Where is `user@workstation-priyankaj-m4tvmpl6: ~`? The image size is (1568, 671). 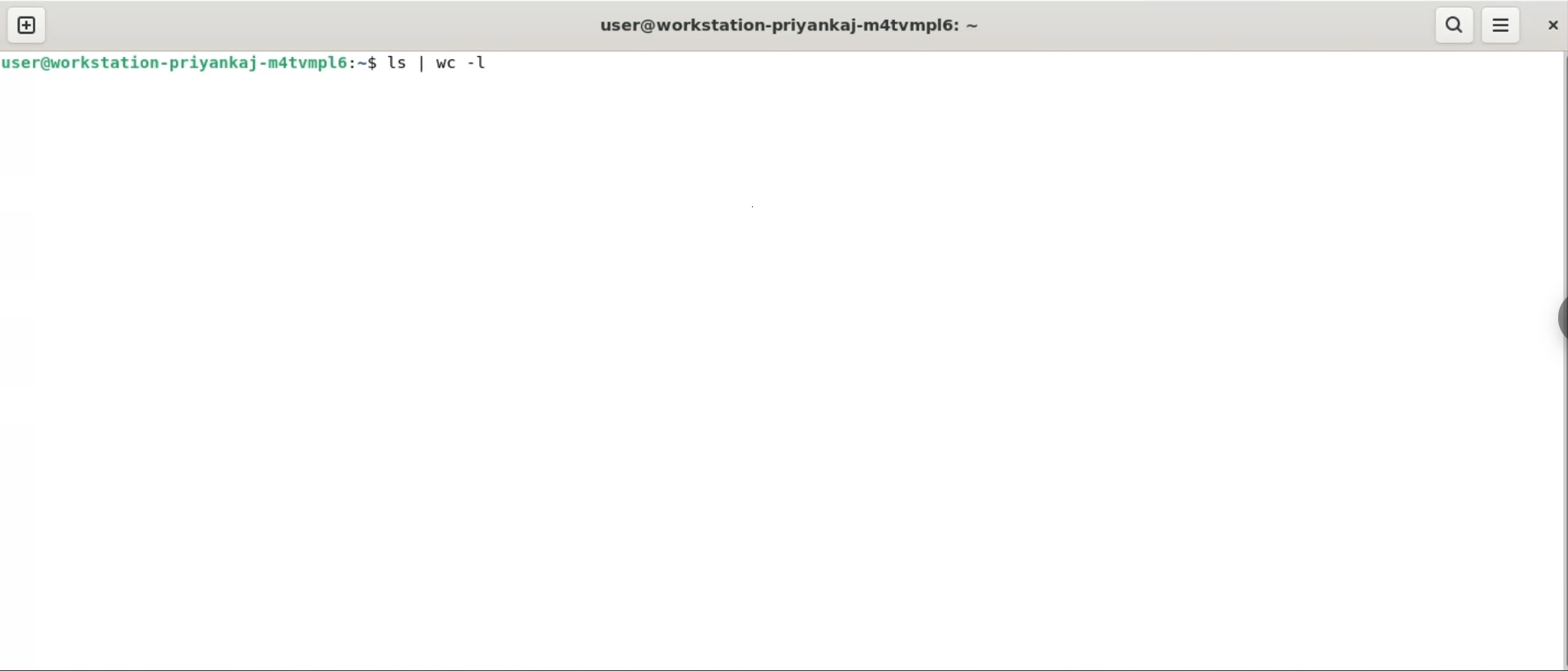 user@workstation-priyankaj-m4tvmpl6: ~ is located at coordinates (787, 25).